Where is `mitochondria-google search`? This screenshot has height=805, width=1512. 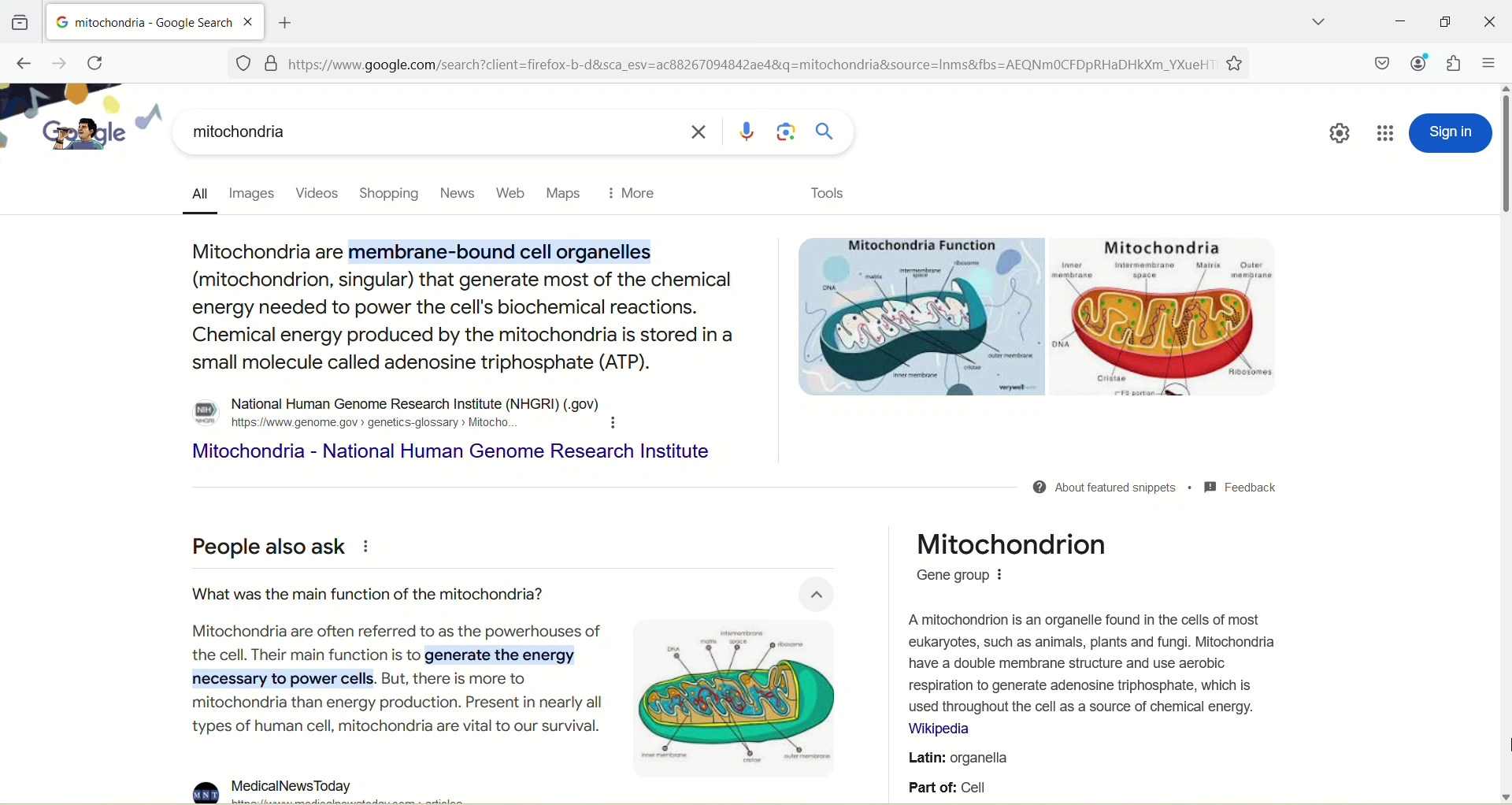 mitochondria-google search is located at coordinates (139, 22).